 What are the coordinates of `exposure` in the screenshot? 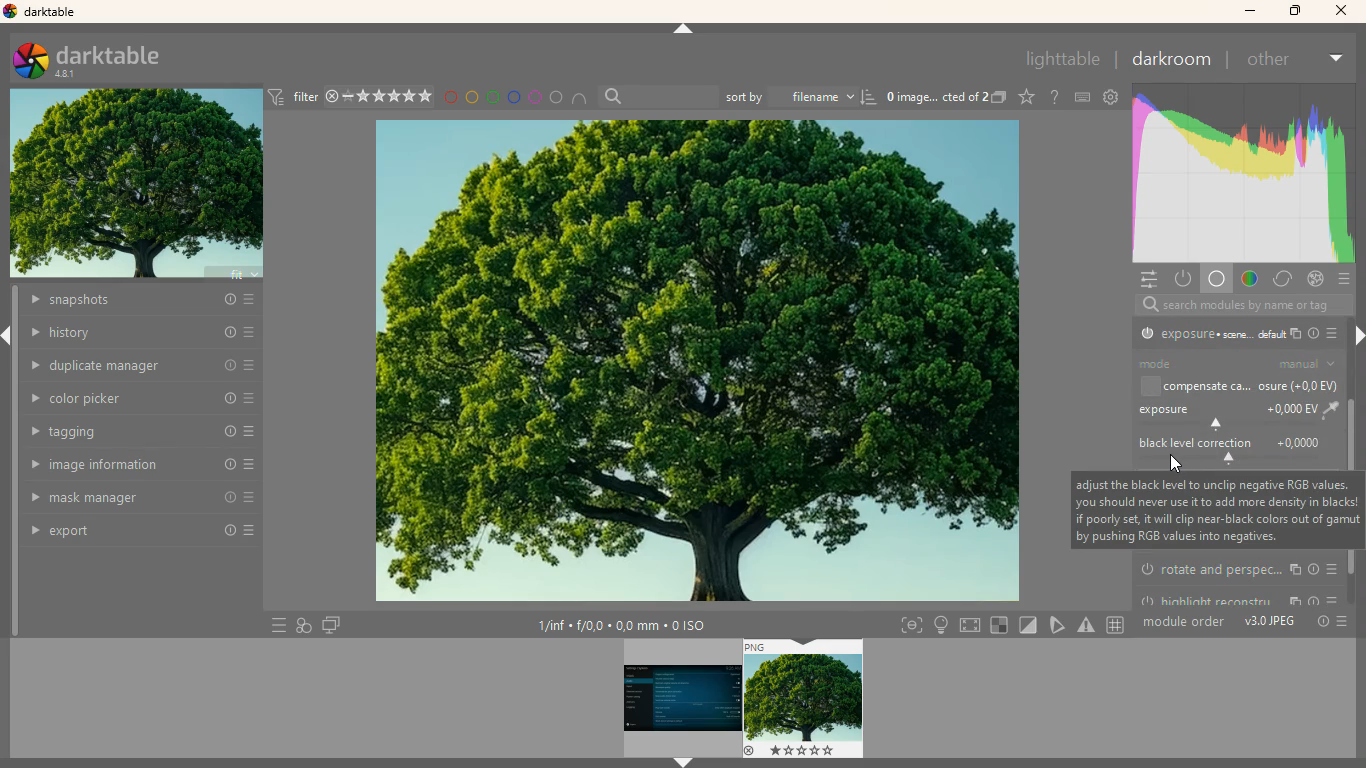 It's located at (1210, 337).